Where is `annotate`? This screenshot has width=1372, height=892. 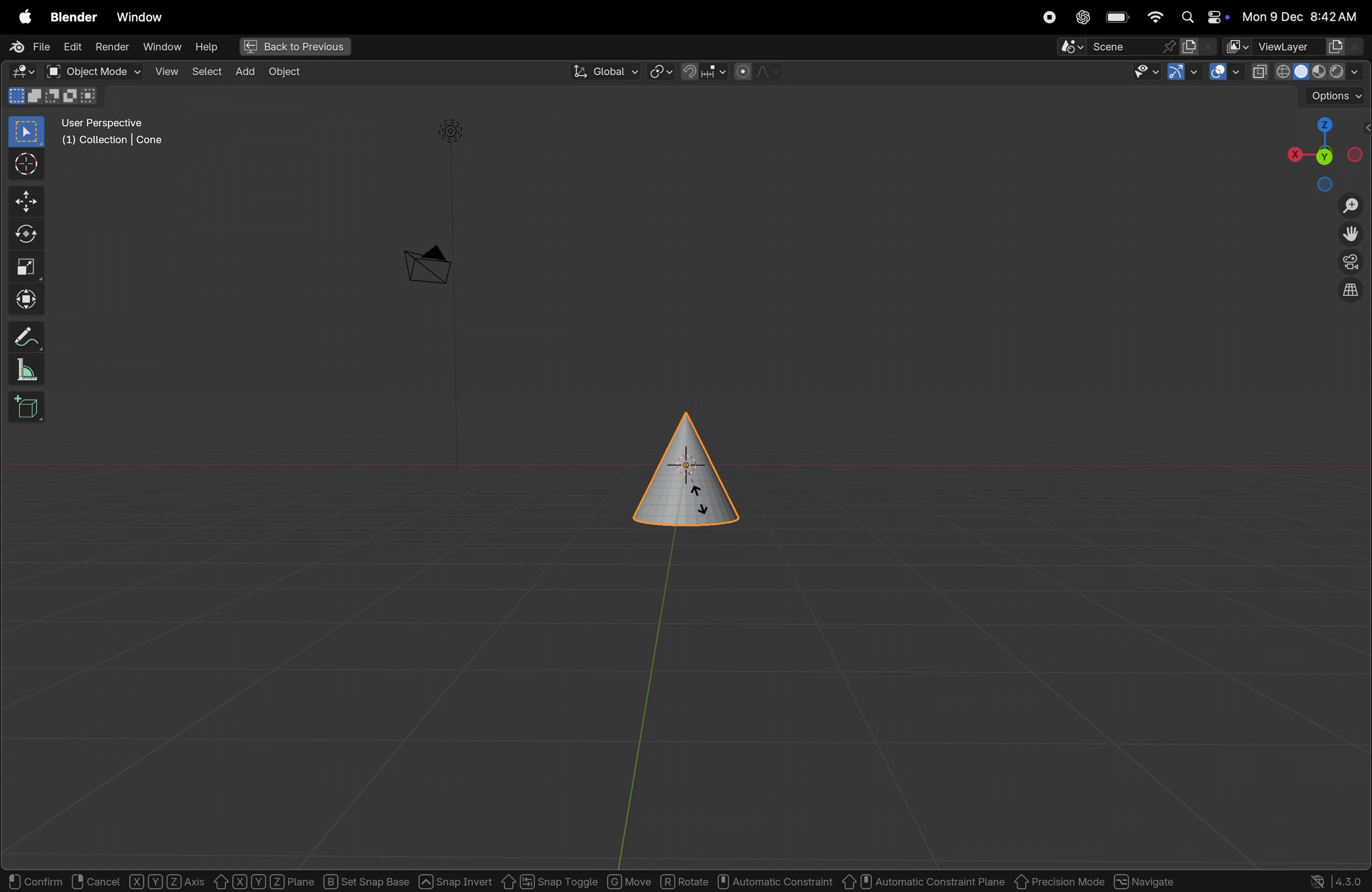
annotate is located at coordinates (22, 336).